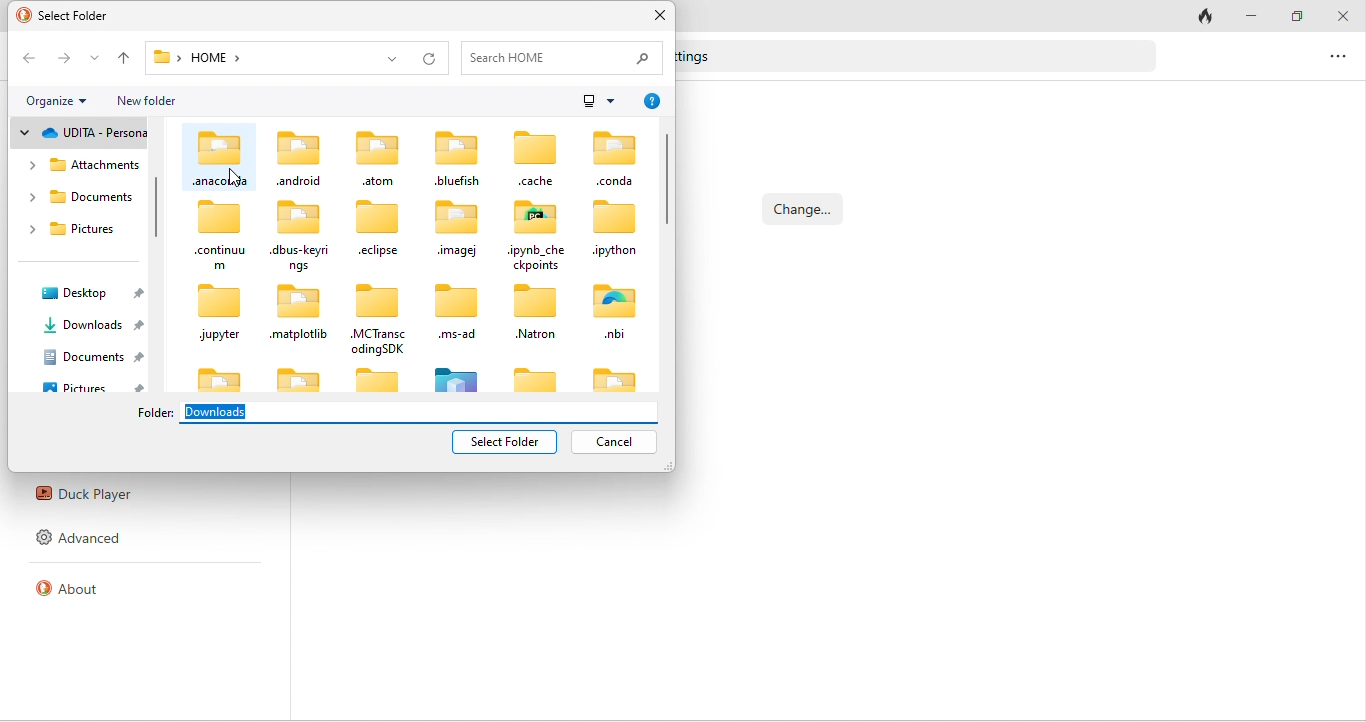 This screenshot has height=722, width=1366. Describe the element at coordinates (1202, 18) in the screenshot. I see `track tab` at that location.